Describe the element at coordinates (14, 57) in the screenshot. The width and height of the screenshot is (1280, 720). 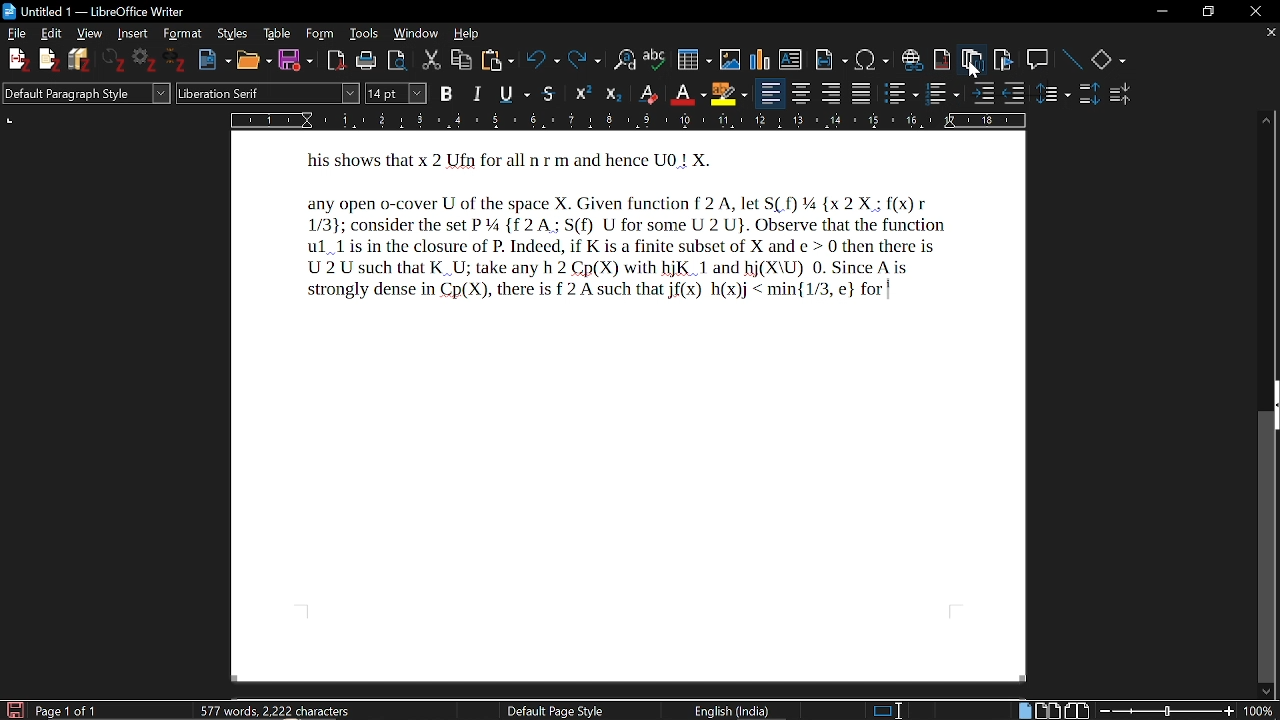
I see `Add citation` at that location.